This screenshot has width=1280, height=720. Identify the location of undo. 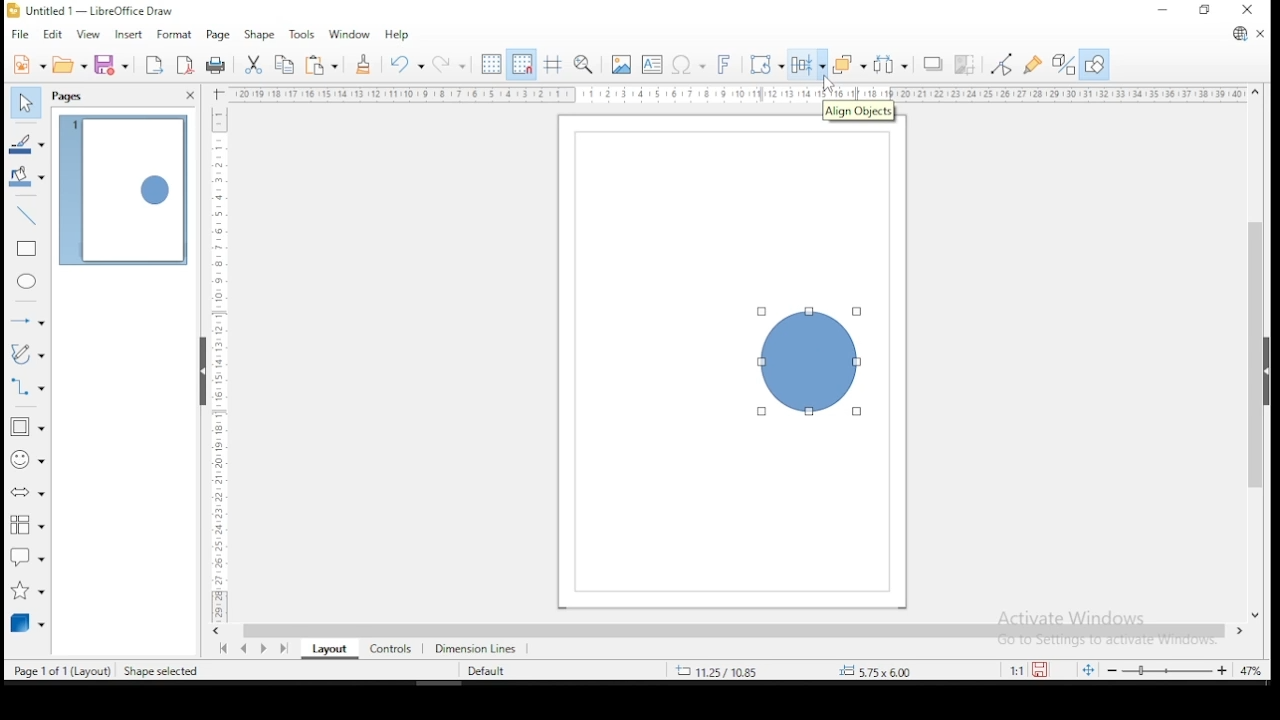
(404, 64).